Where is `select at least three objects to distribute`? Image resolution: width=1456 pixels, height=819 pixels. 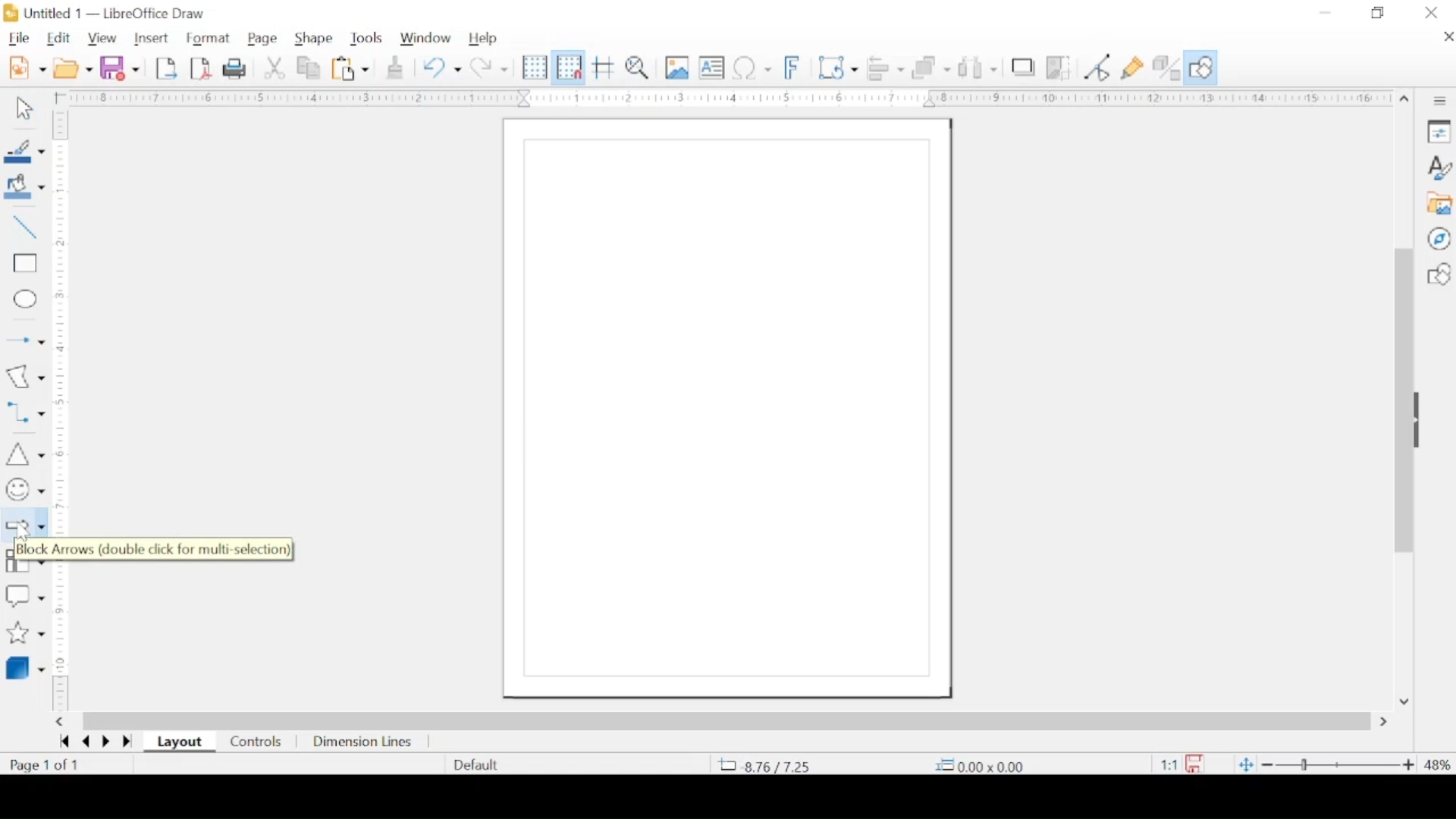
select at least three objects to distribute is located at coordinates (979, 67).